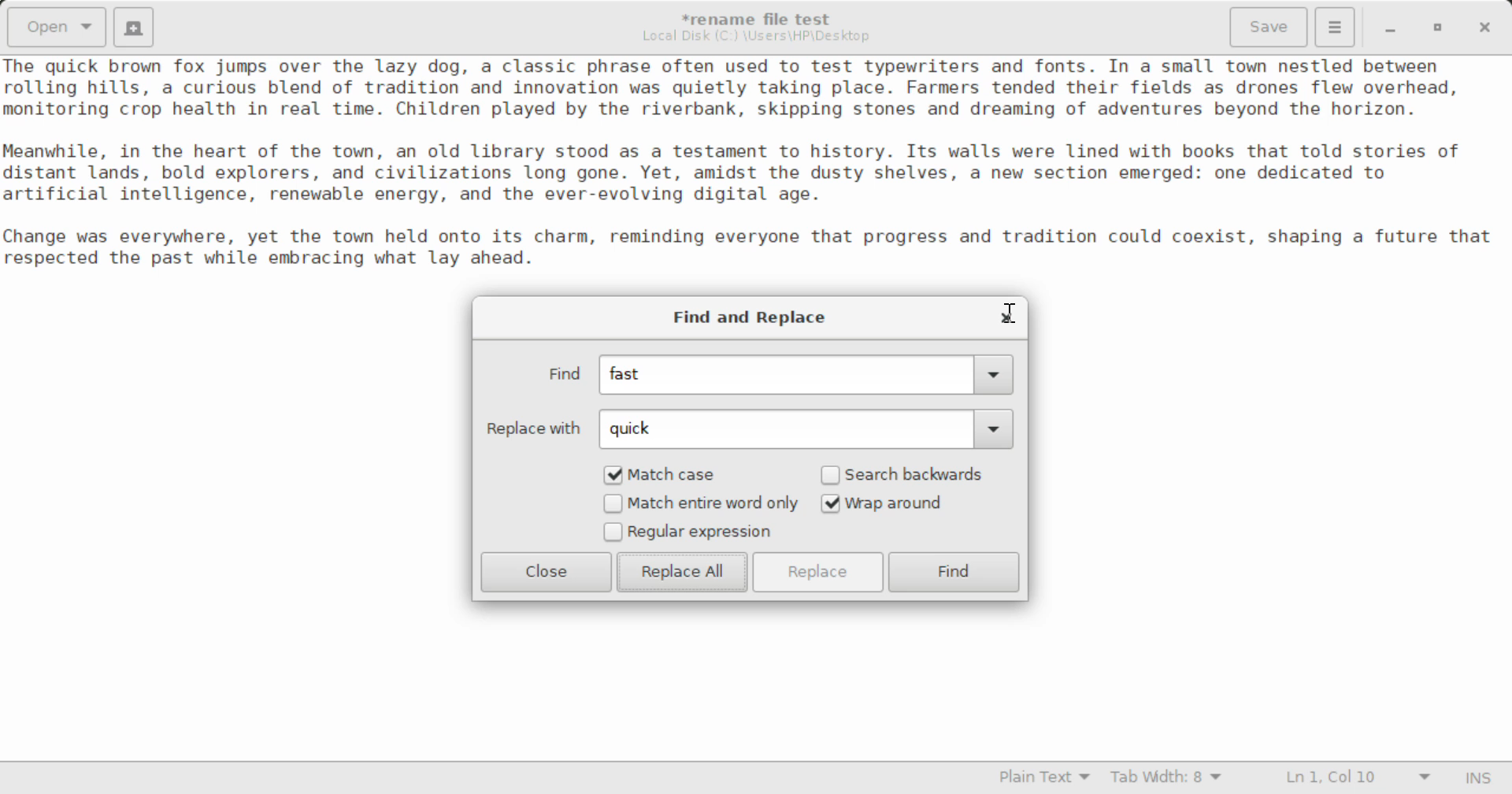  What do you see at coordinates (547, 572) in the screenshot?
I see `Close` at bounding box center [547, 572].